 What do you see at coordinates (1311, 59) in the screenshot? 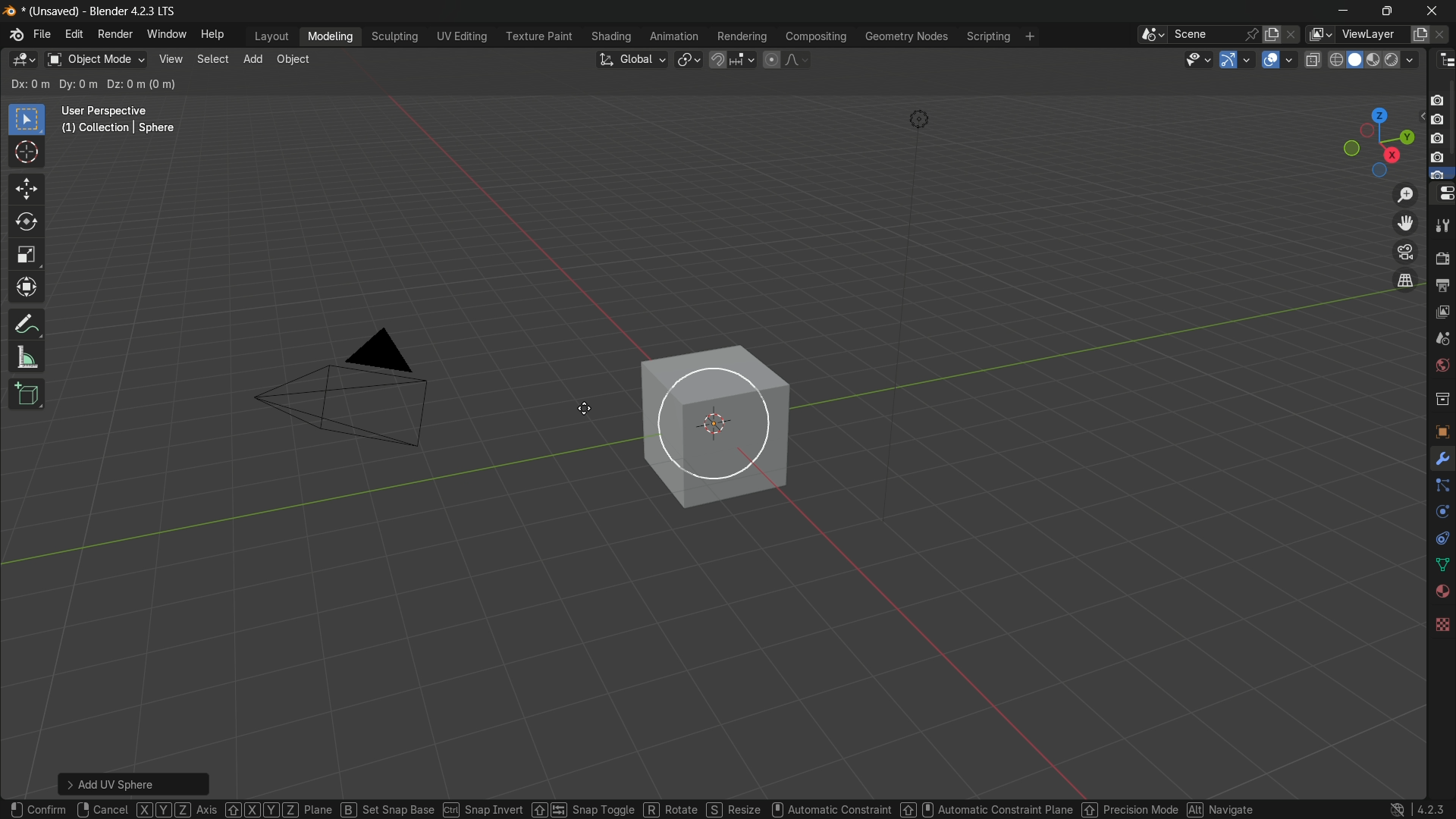
I see `toggle x ray` at bounding box center [1311, 59].